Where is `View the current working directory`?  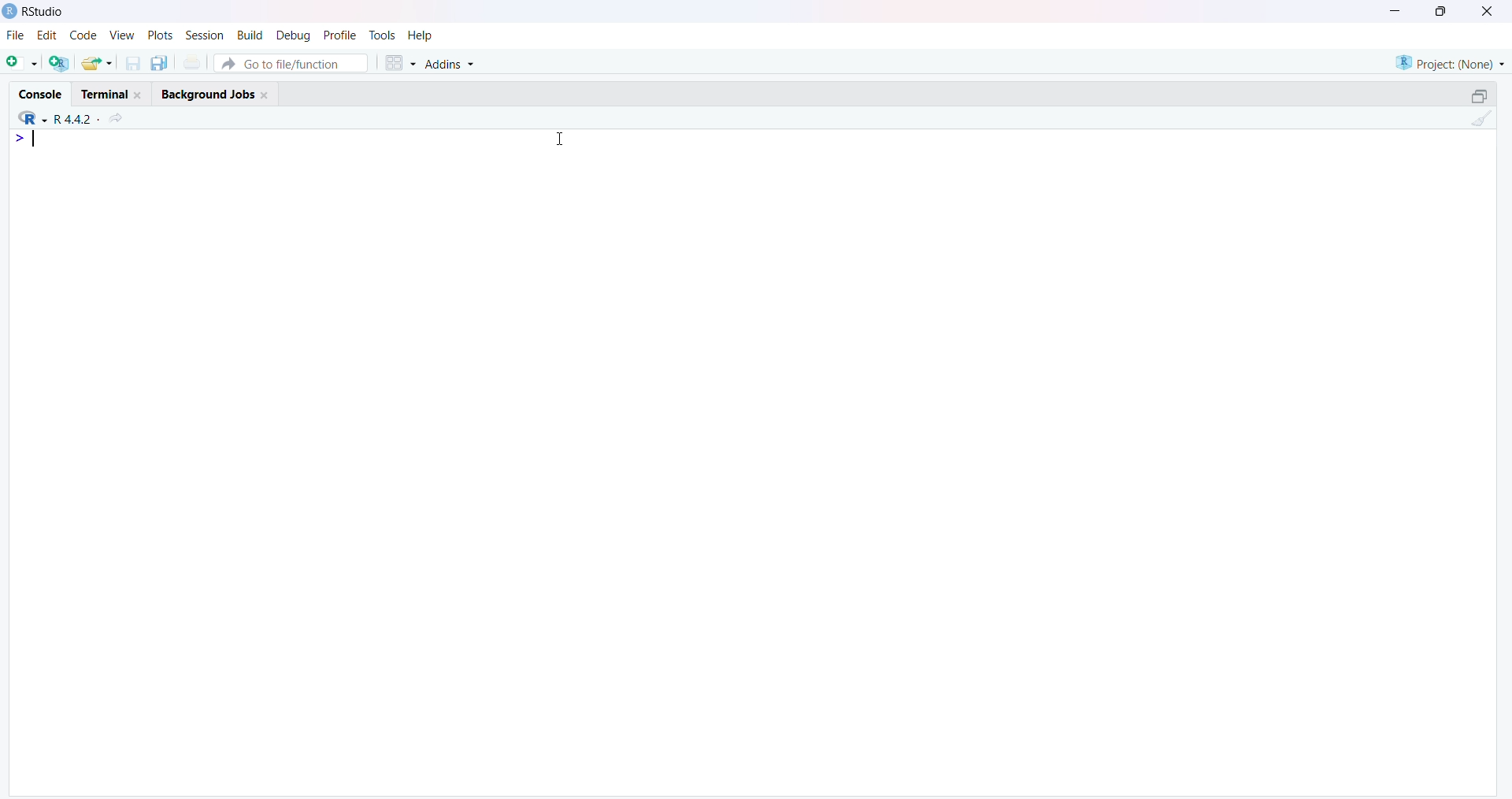 View the current working directory is located at coordinates (120, 117).